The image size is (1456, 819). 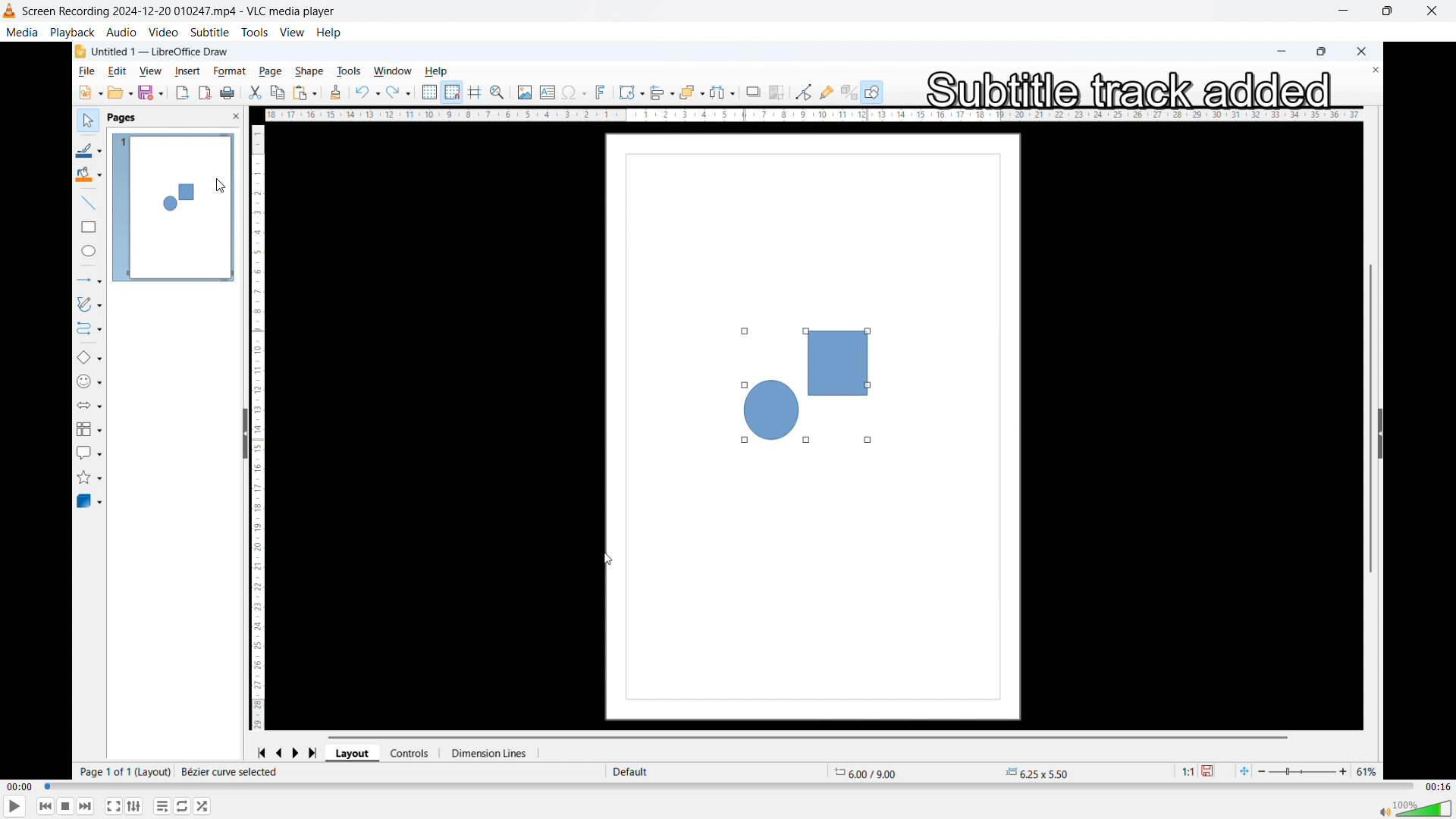 What do you see at coordinates (440, 70) in the screenshot?
I see `help` at bounding box center [440, 70].